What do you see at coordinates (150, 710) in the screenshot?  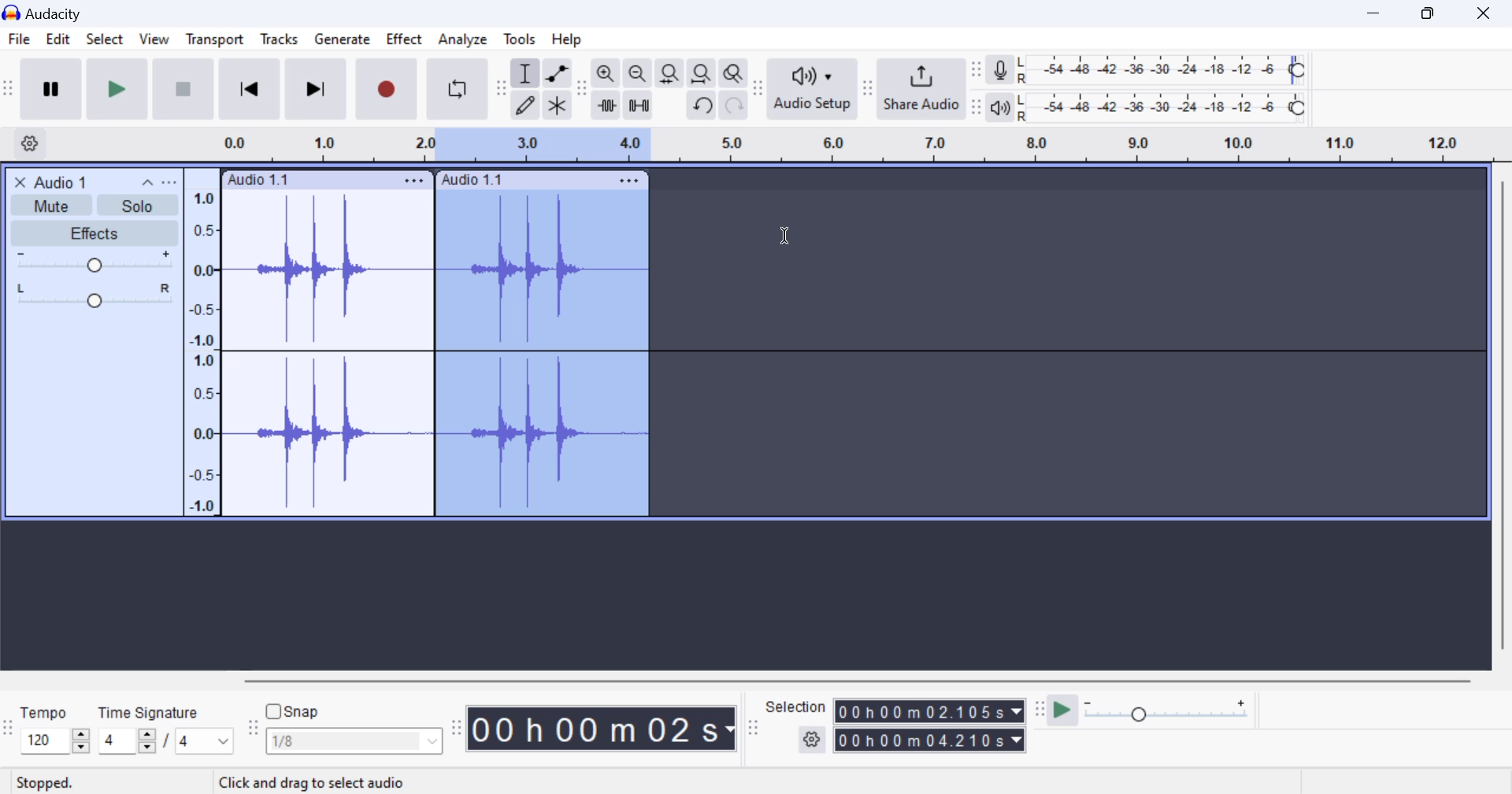 I see `Time Signature` at bounding box center [150, 710].